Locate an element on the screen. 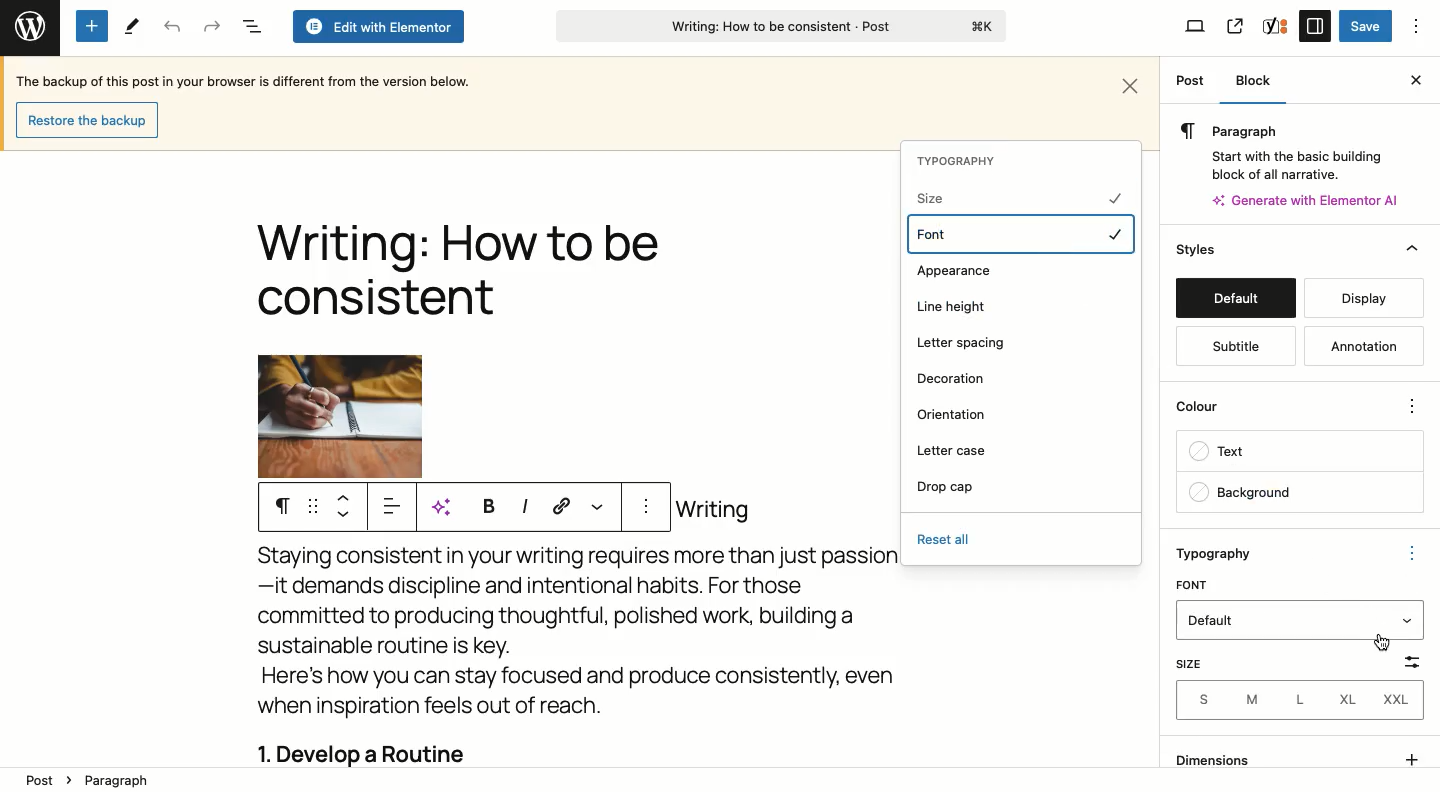 The image size is (1440, 792). Display is located at coordinates (1365, 298).